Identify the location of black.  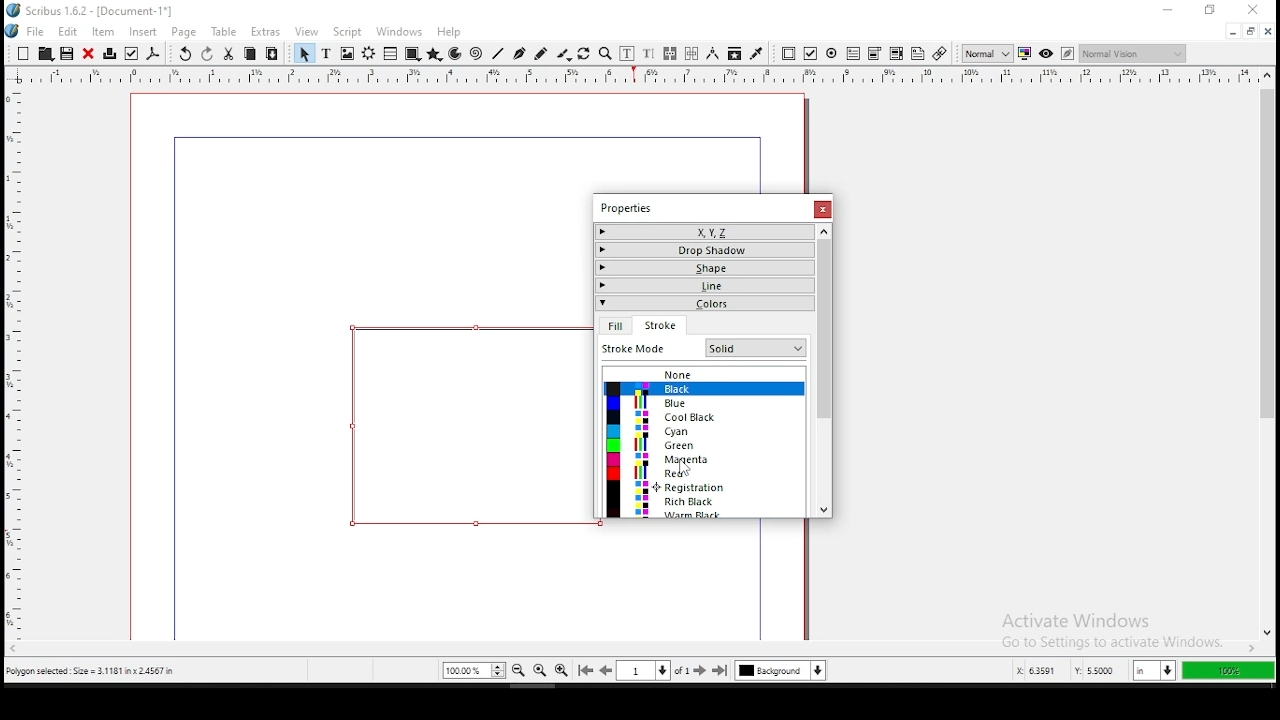
(704, 389).